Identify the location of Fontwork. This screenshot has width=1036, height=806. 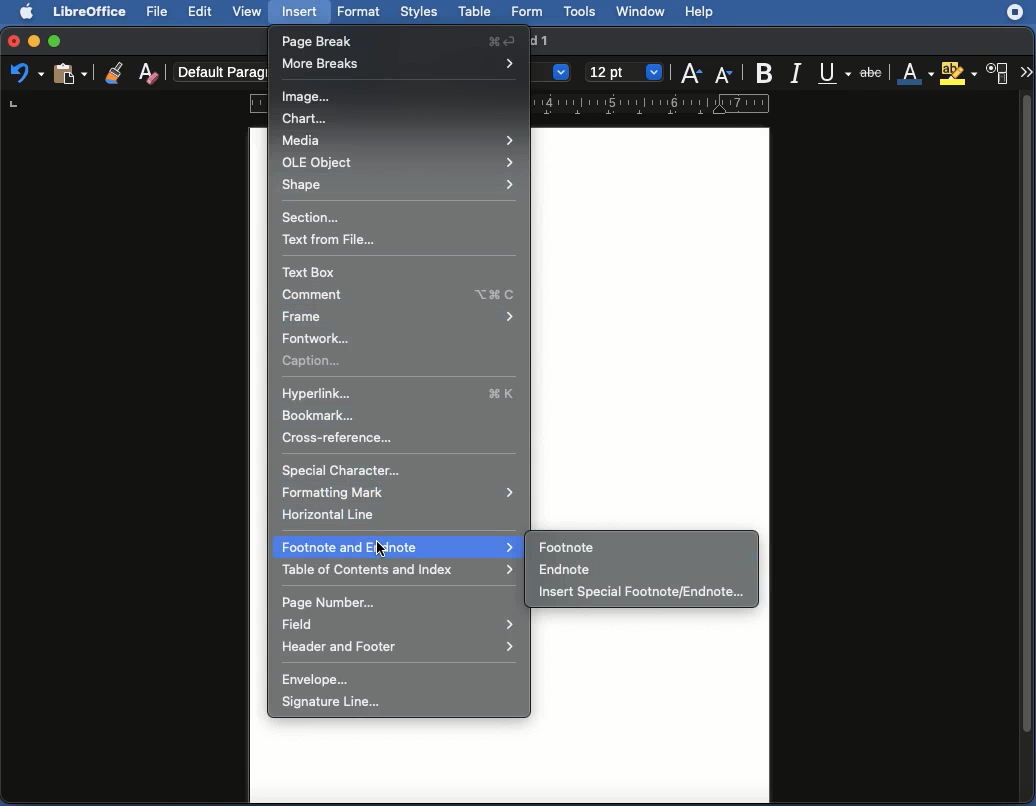
(315, 338).